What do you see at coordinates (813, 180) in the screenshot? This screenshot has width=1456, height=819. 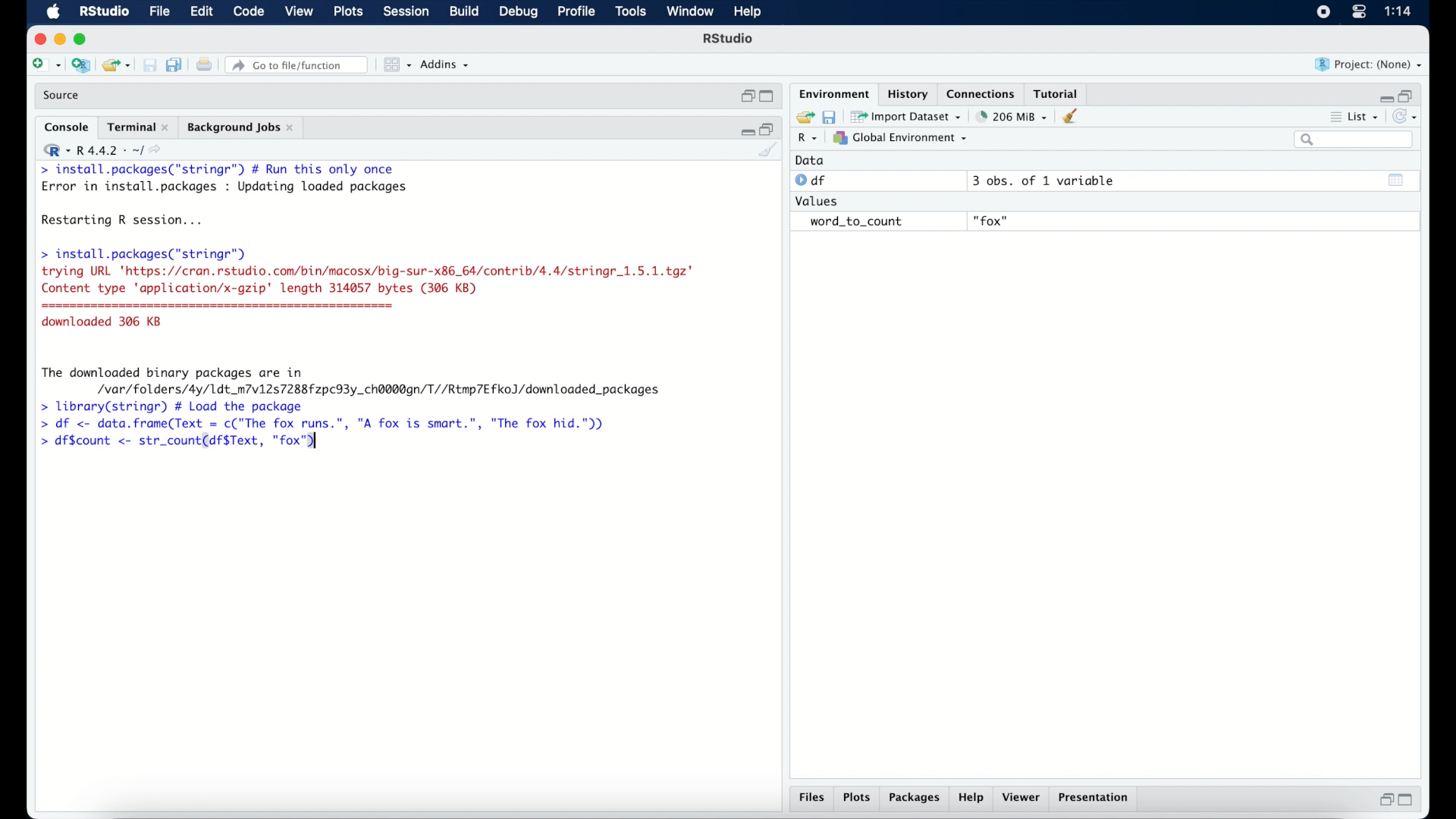 I see `df` at bounding box center [813, 180].